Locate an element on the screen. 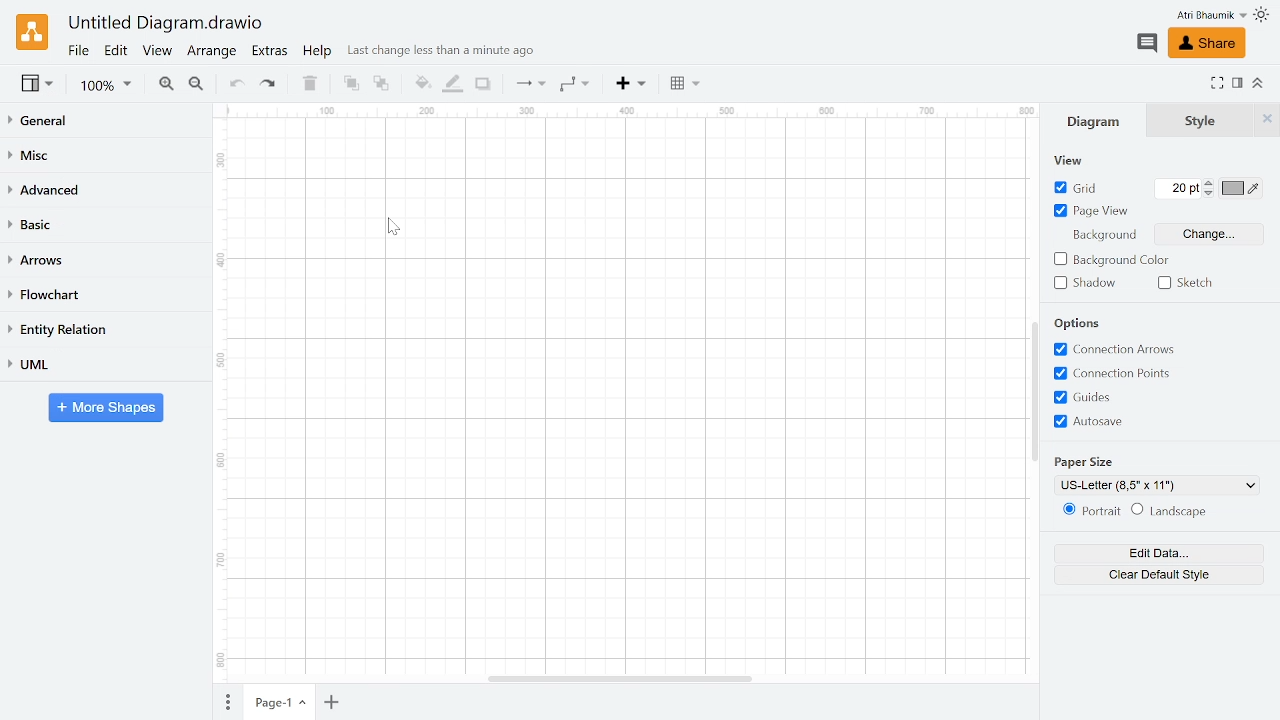 The image size is (1280, 720). Shadow is located at coordinates (483, 85).